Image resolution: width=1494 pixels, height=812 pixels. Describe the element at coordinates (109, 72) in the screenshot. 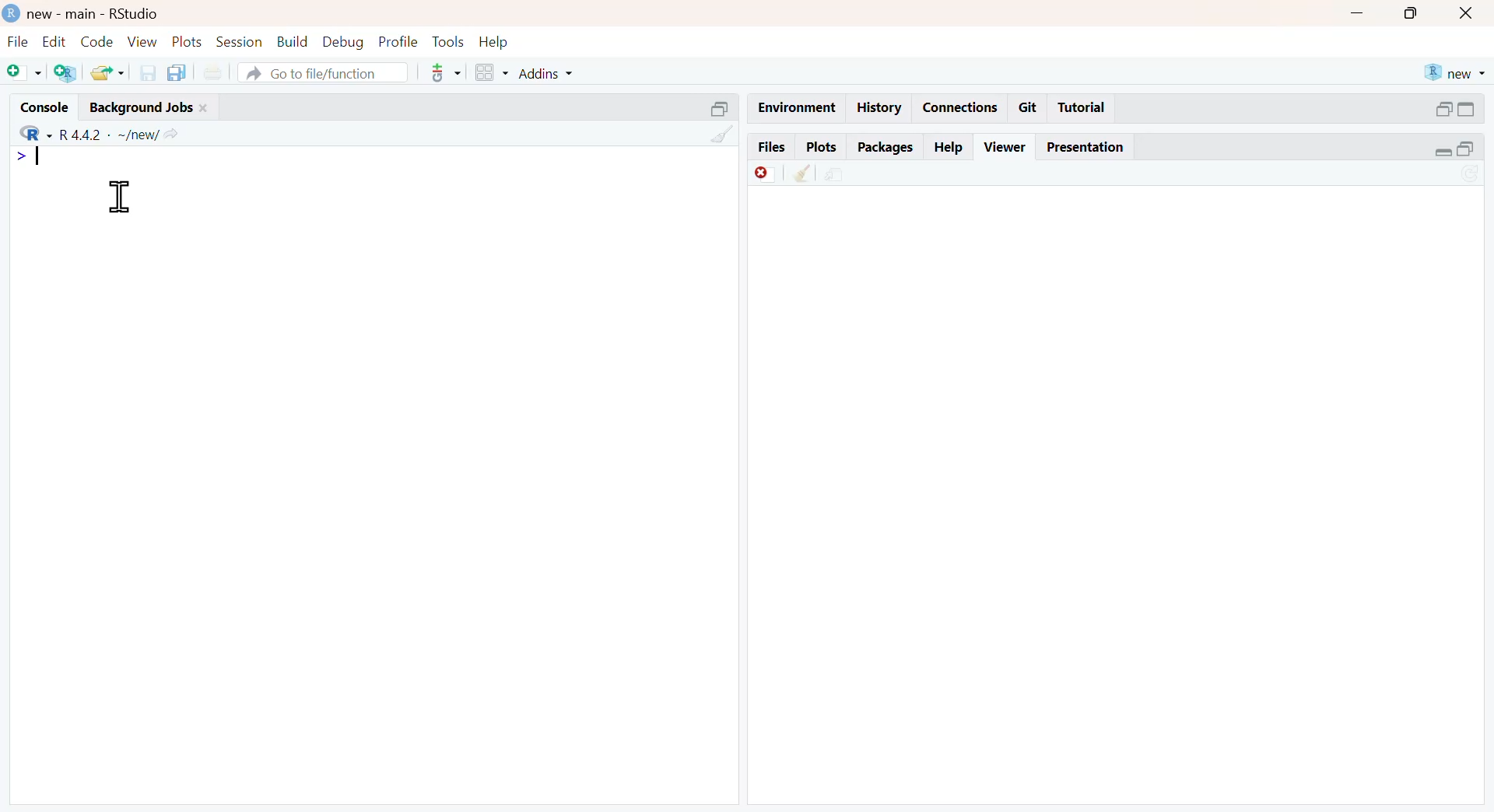

I see `share folder as` at that location.